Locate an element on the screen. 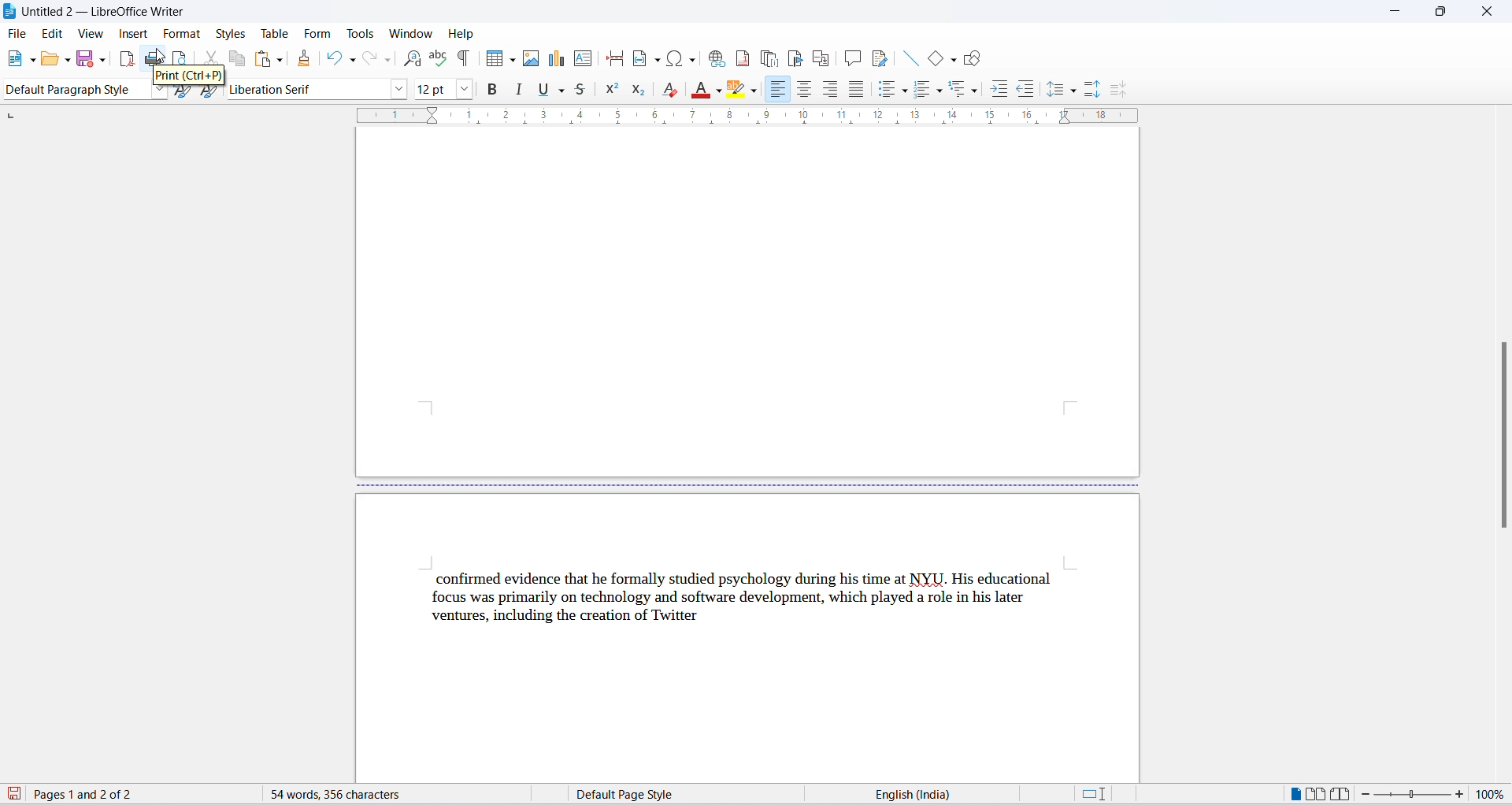  window is located at coordinates (409, 33).